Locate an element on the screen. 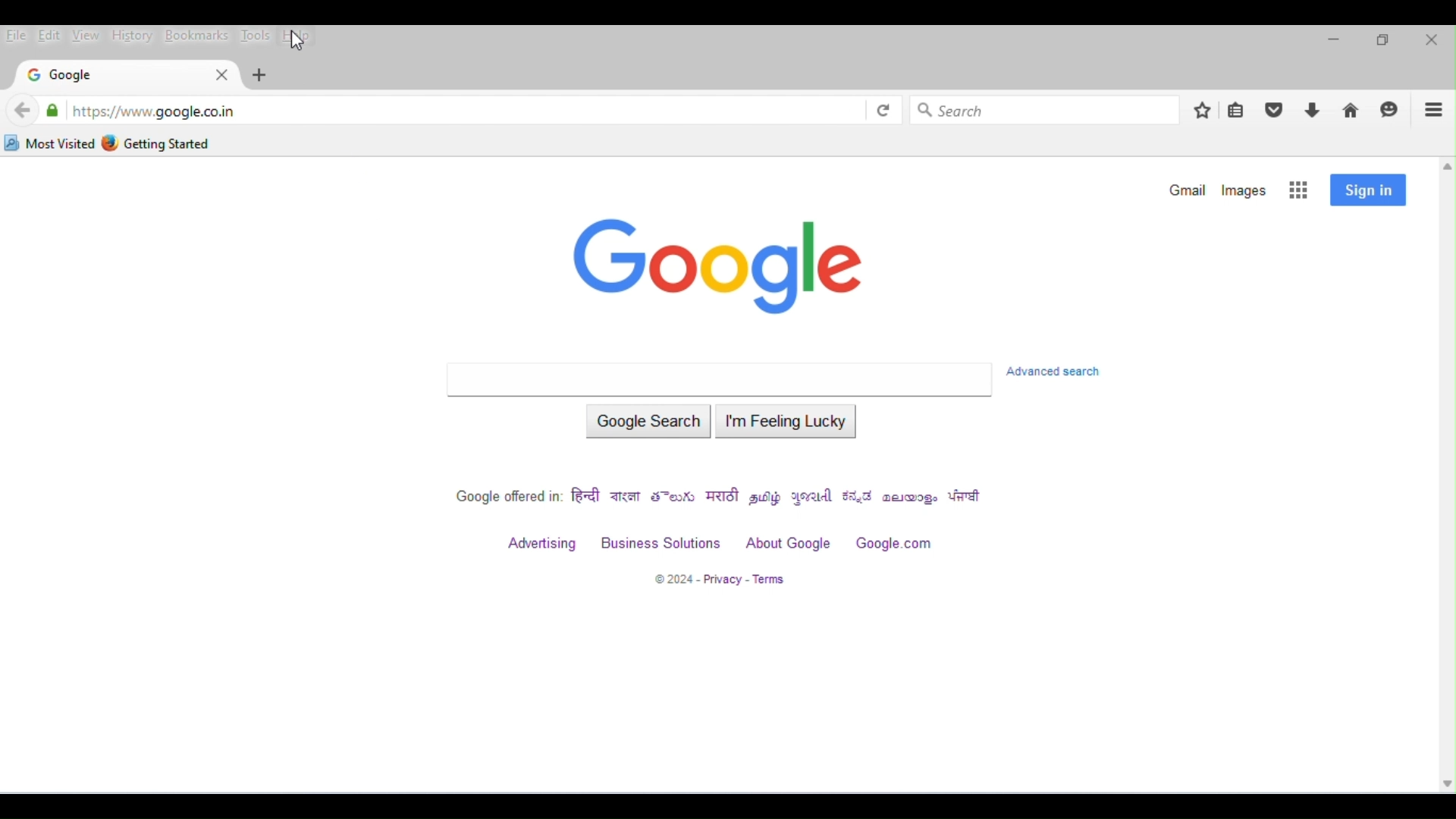 This screenshot has width=1456, height=819. about google is located at coordinates (789, 544).